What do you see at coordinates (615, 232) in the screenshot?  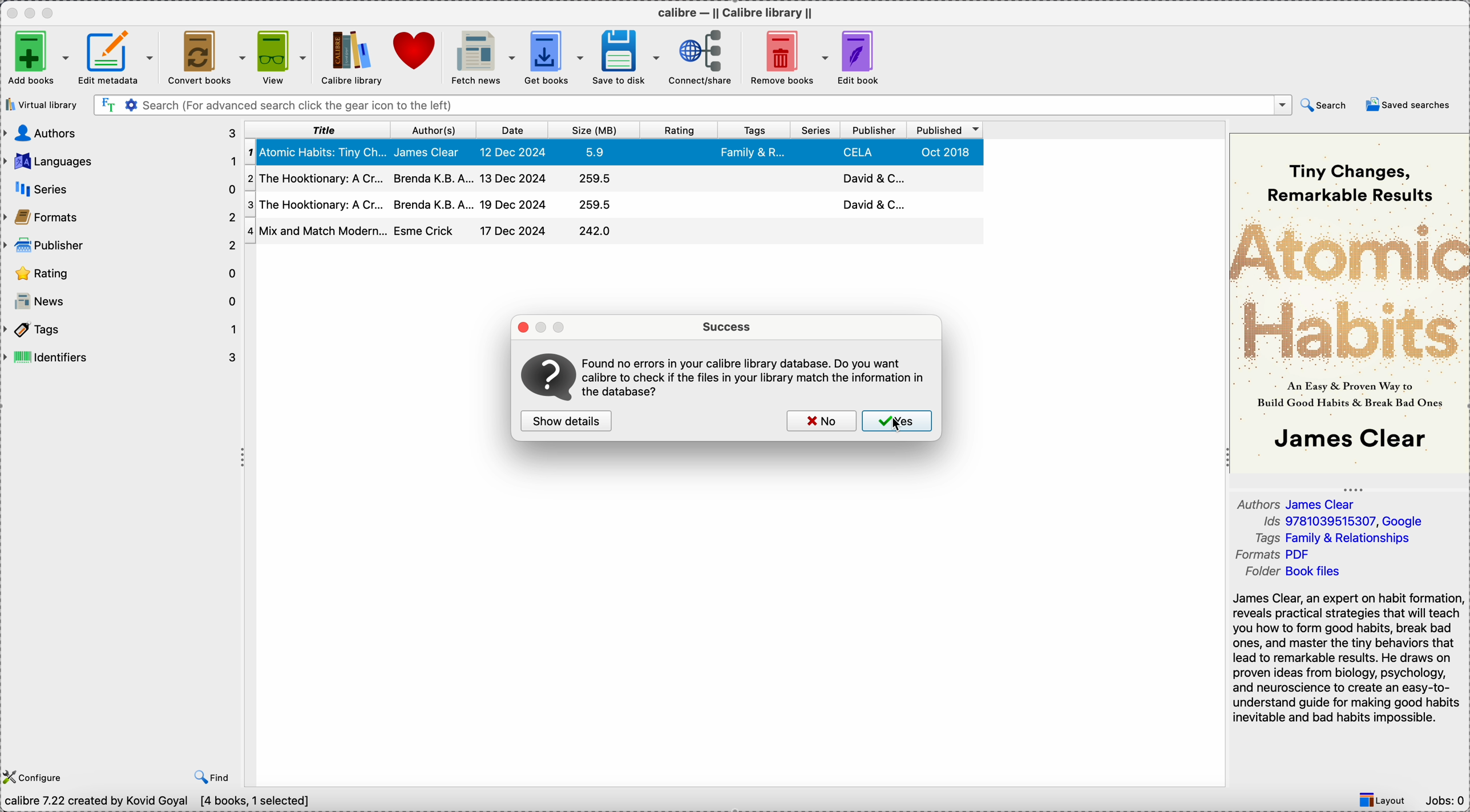 I see `four book` at bounding box center [615, 232].